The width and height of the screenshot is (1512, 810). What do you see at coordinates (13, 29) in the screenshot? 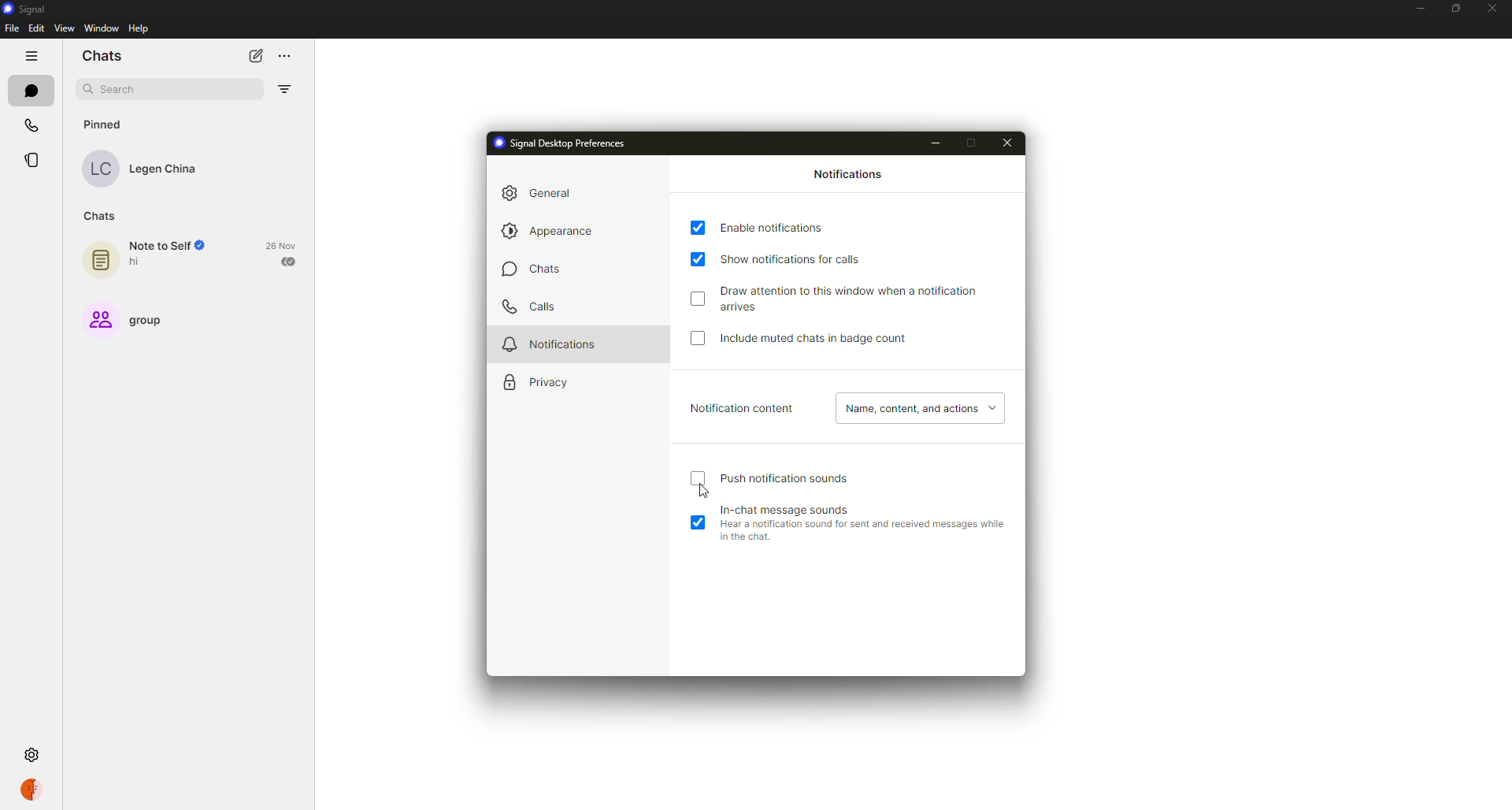
I see `file` at bounding box center [13, 29].